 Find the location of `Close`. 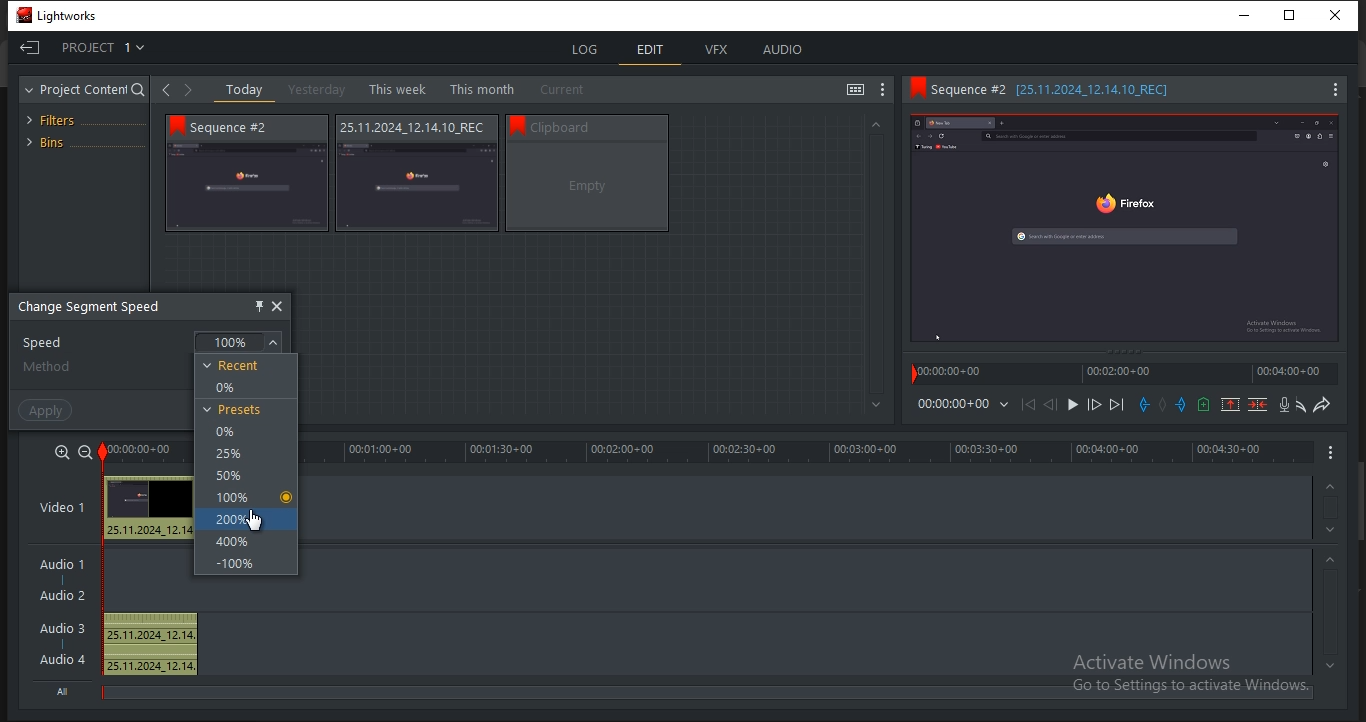

Close is located at coordinates (1339, 14).